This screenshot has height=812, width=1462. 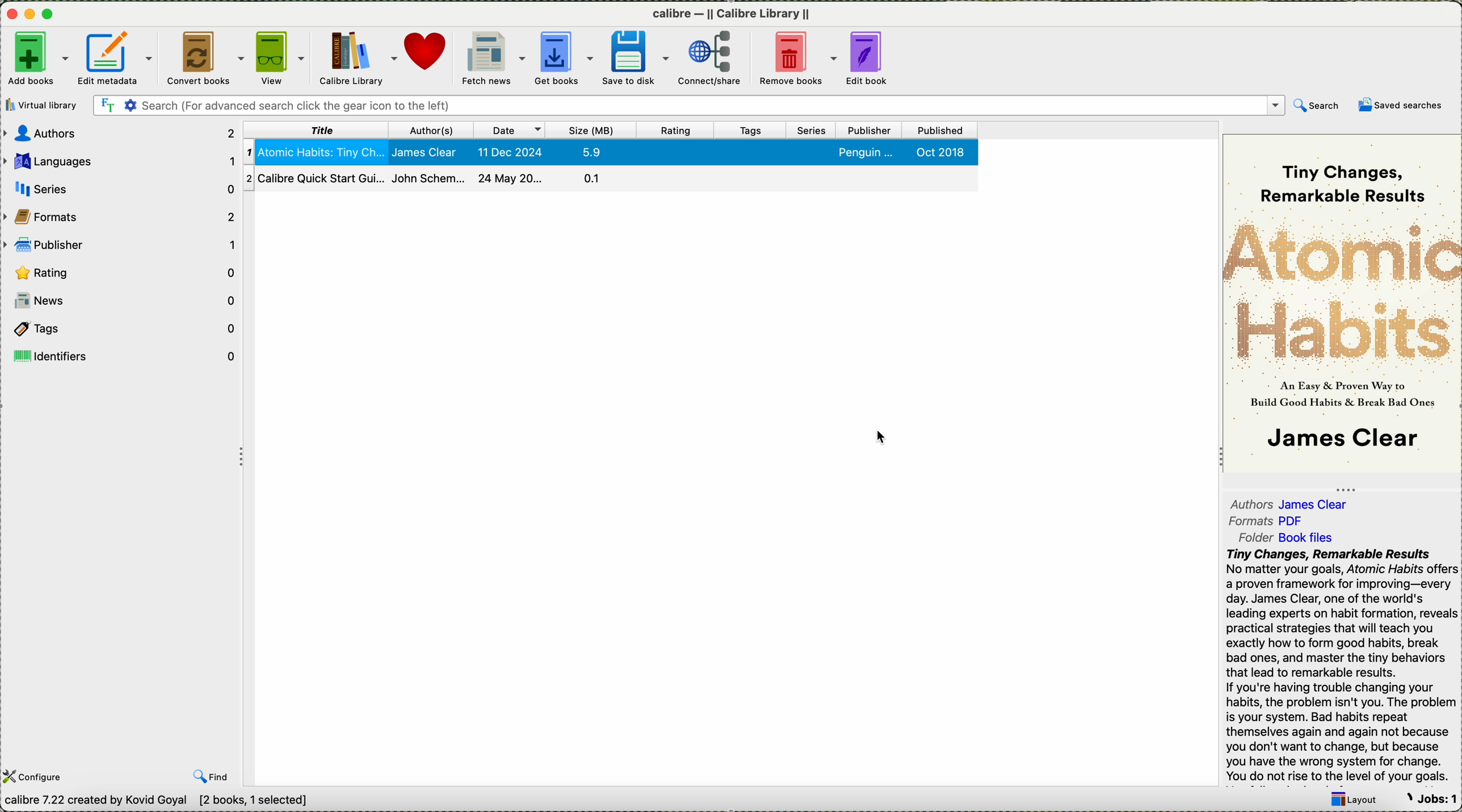 I want to click on authors, so click(x=120, y=133).